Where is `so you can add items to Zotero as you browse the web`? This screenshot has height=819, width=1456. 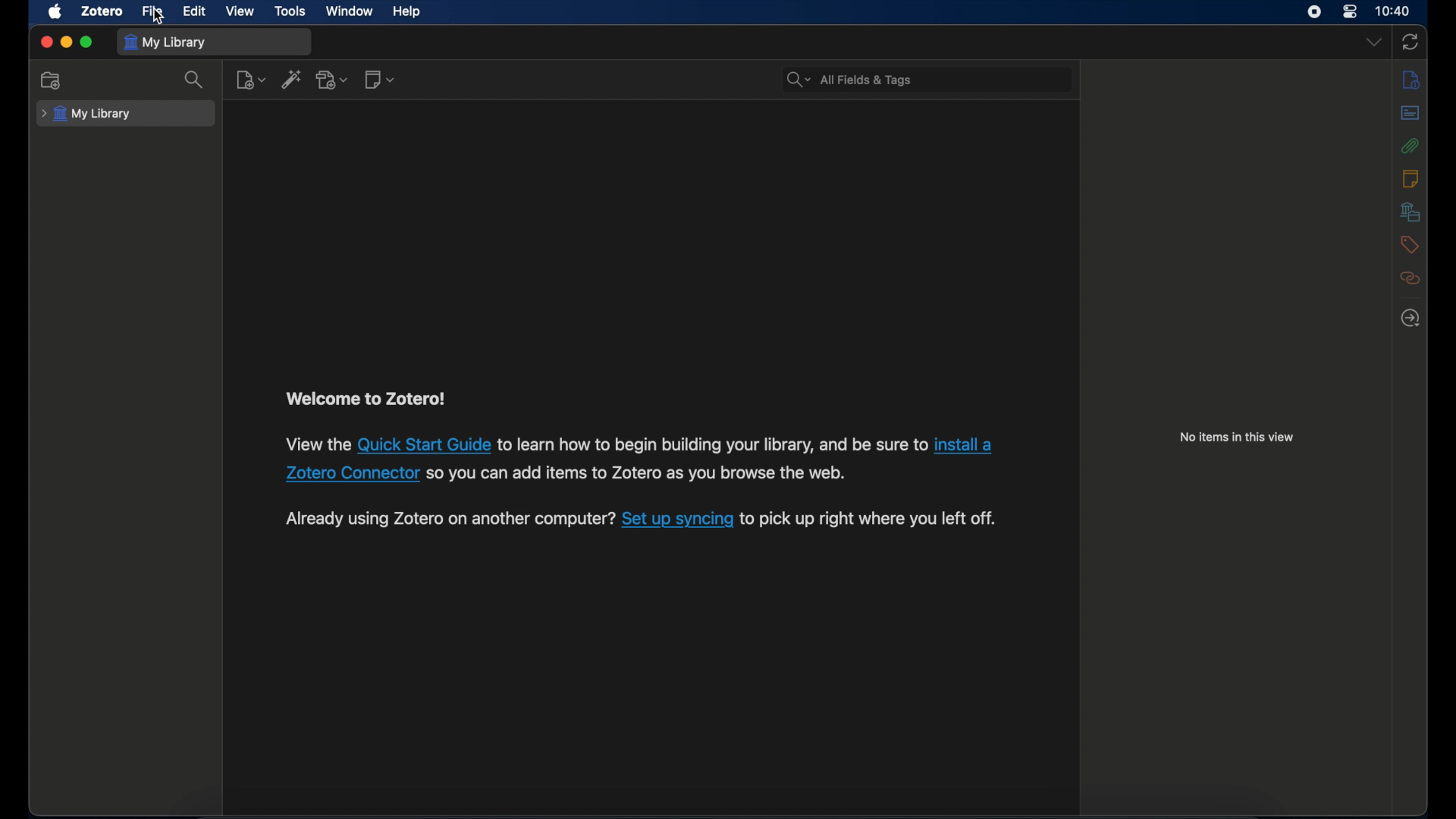
so you can add items to Zotero as you browse the web is located at coordinates (636, 475).